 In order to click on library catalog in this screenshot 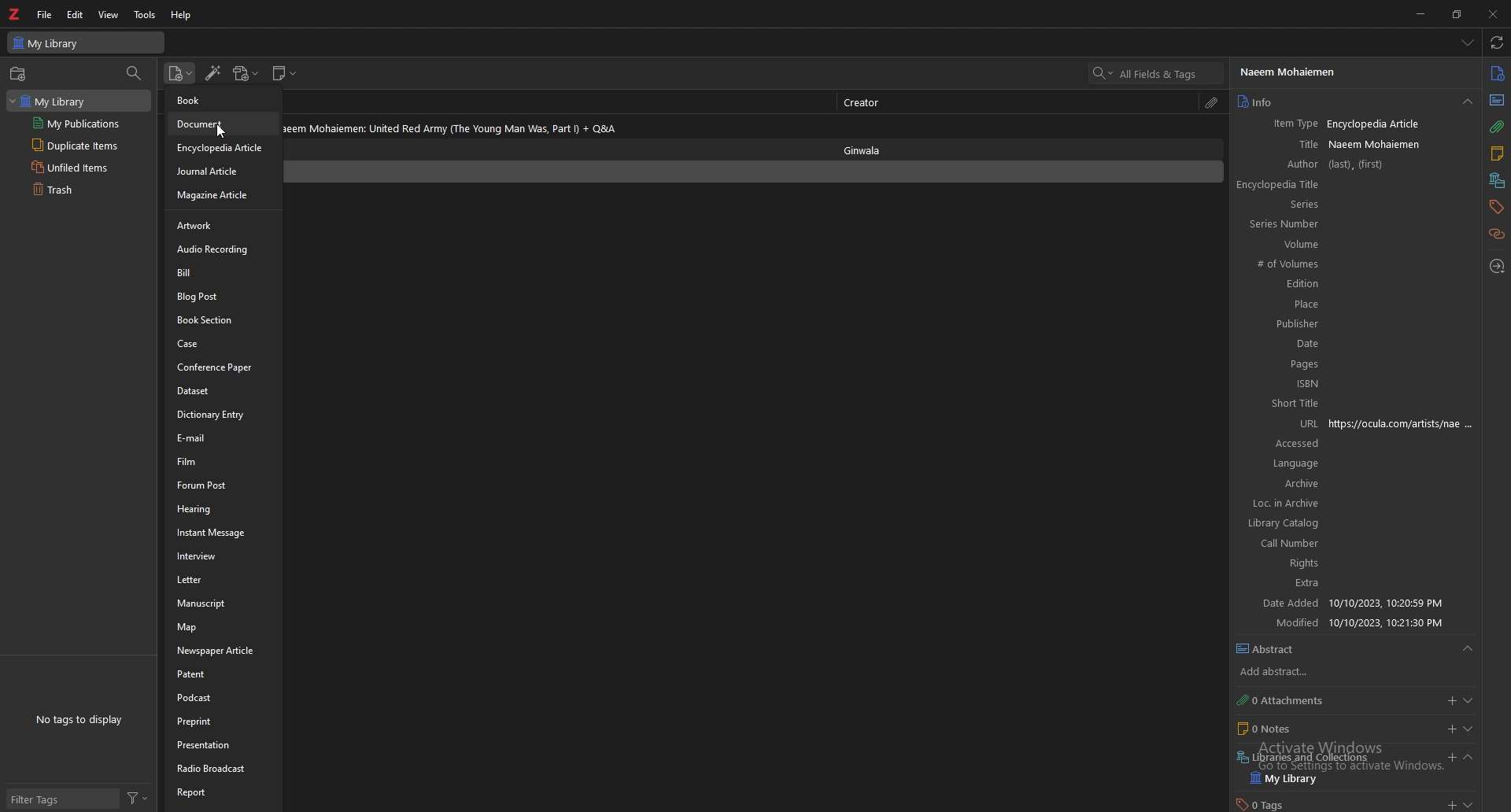, I will do `click(1280, 526)`.